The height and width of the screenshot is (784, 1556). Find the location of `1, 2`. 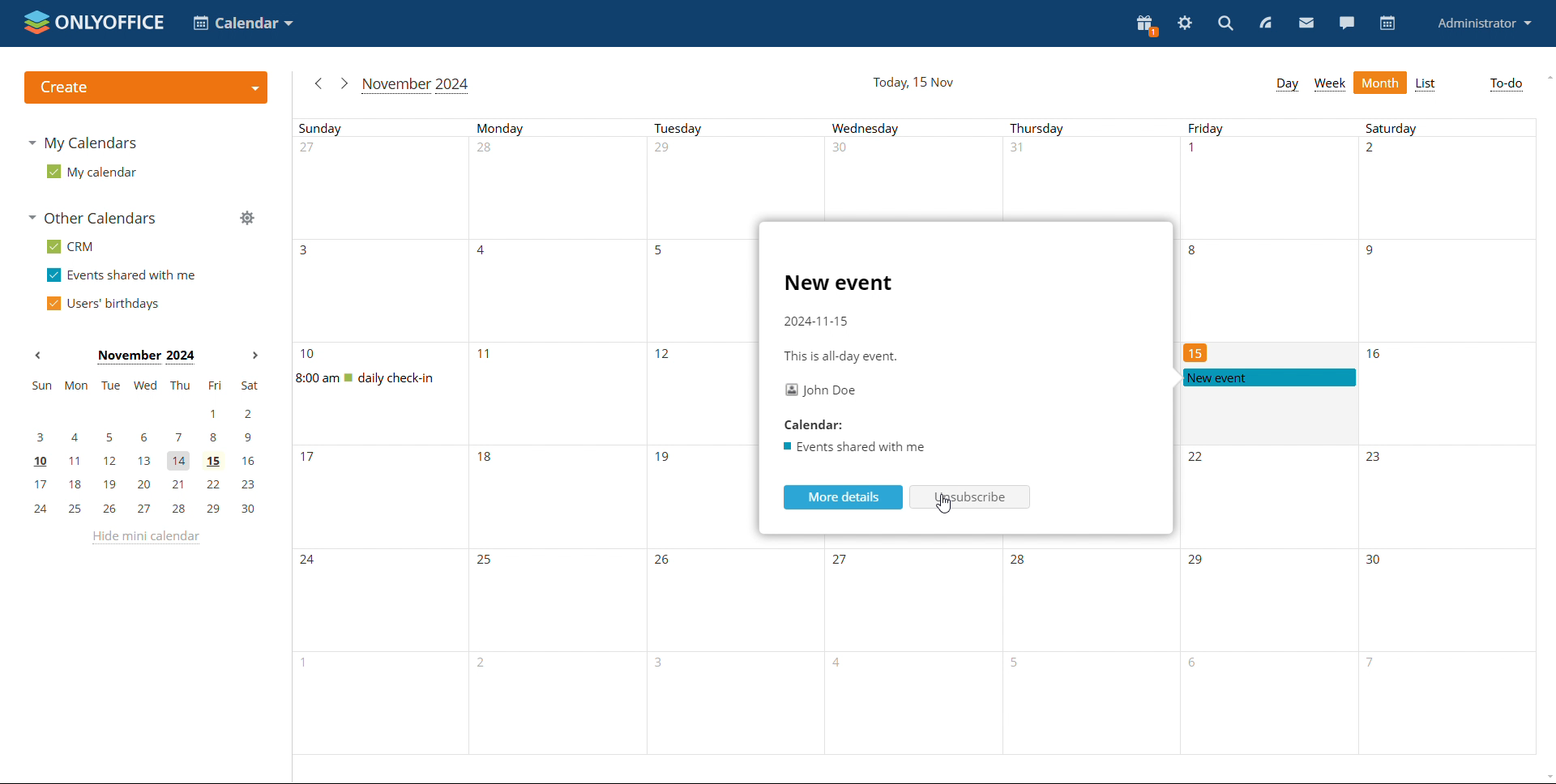

1, 2 is located at coordinates (151, 414).